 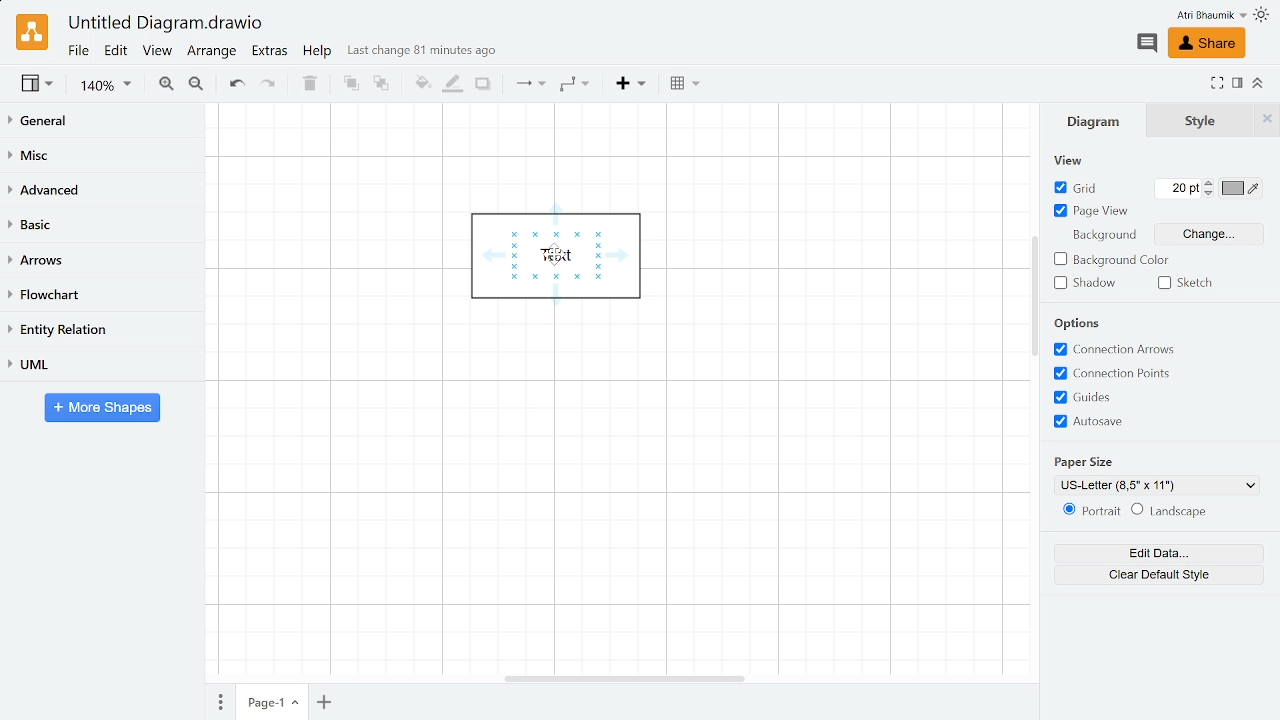 I want to click on Close, so click(x=1268, y=118).